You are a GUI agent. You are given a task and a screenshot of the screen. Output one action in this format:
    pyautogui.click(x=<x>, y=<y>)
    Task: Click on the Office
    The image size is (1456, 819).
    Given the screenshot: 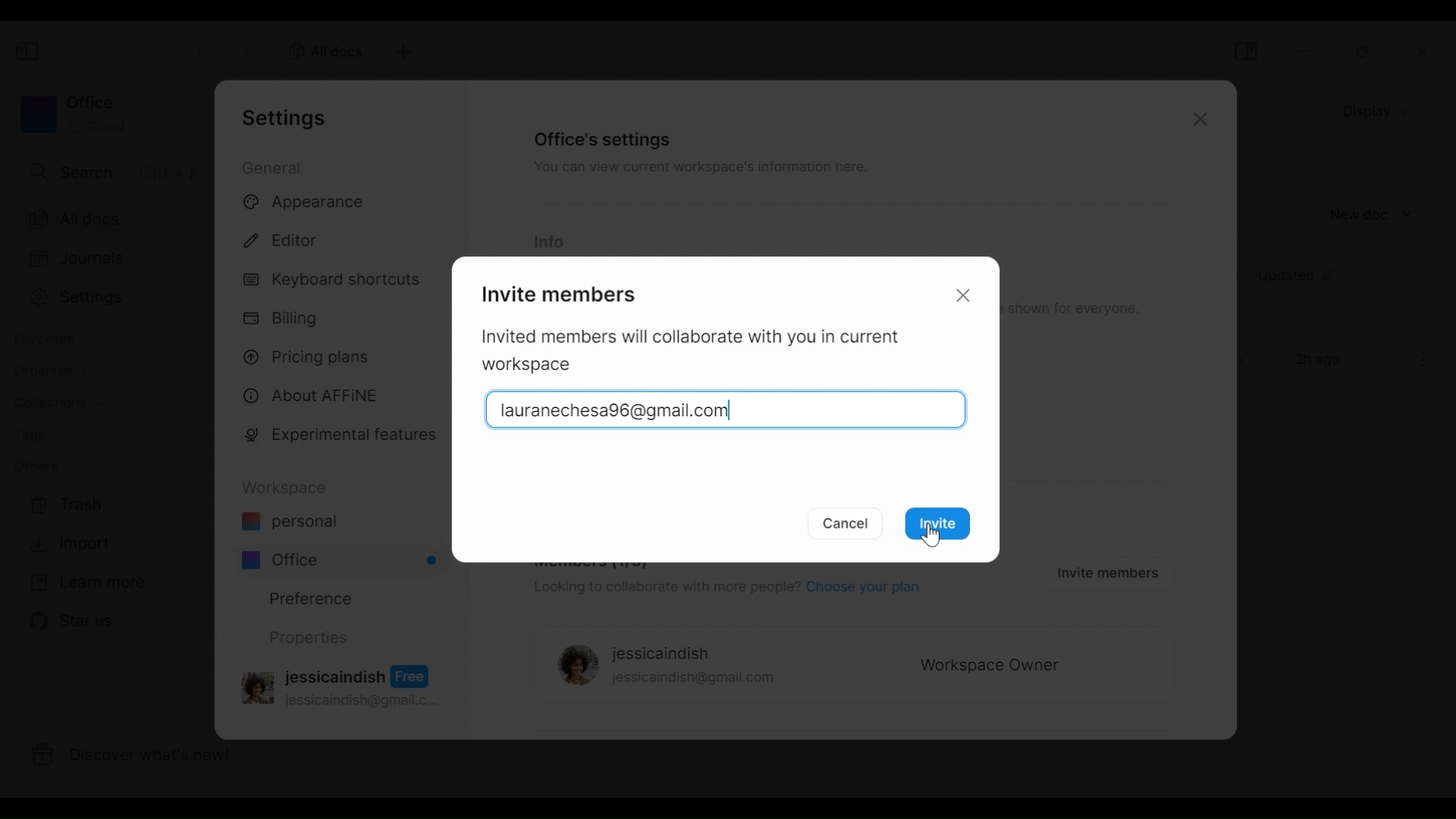 What is the action you would take?
    pyautogui.click(x=341, y=560)
    